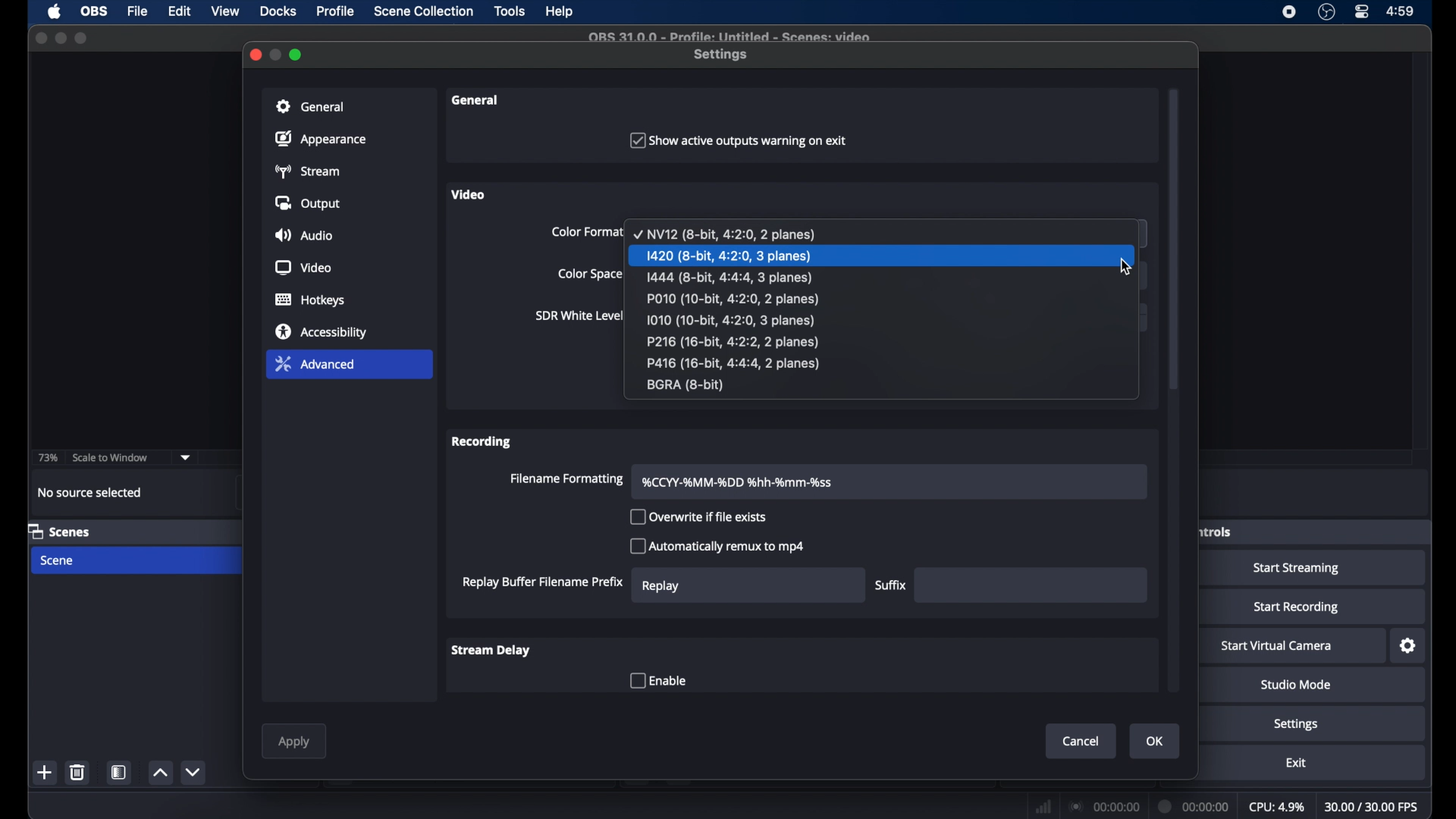 The width and height of the screenshot is (1456, 819). What do you see at coordinates (178, 11) in the screenshot?
I see `edit` at bounding box center [178, 11].